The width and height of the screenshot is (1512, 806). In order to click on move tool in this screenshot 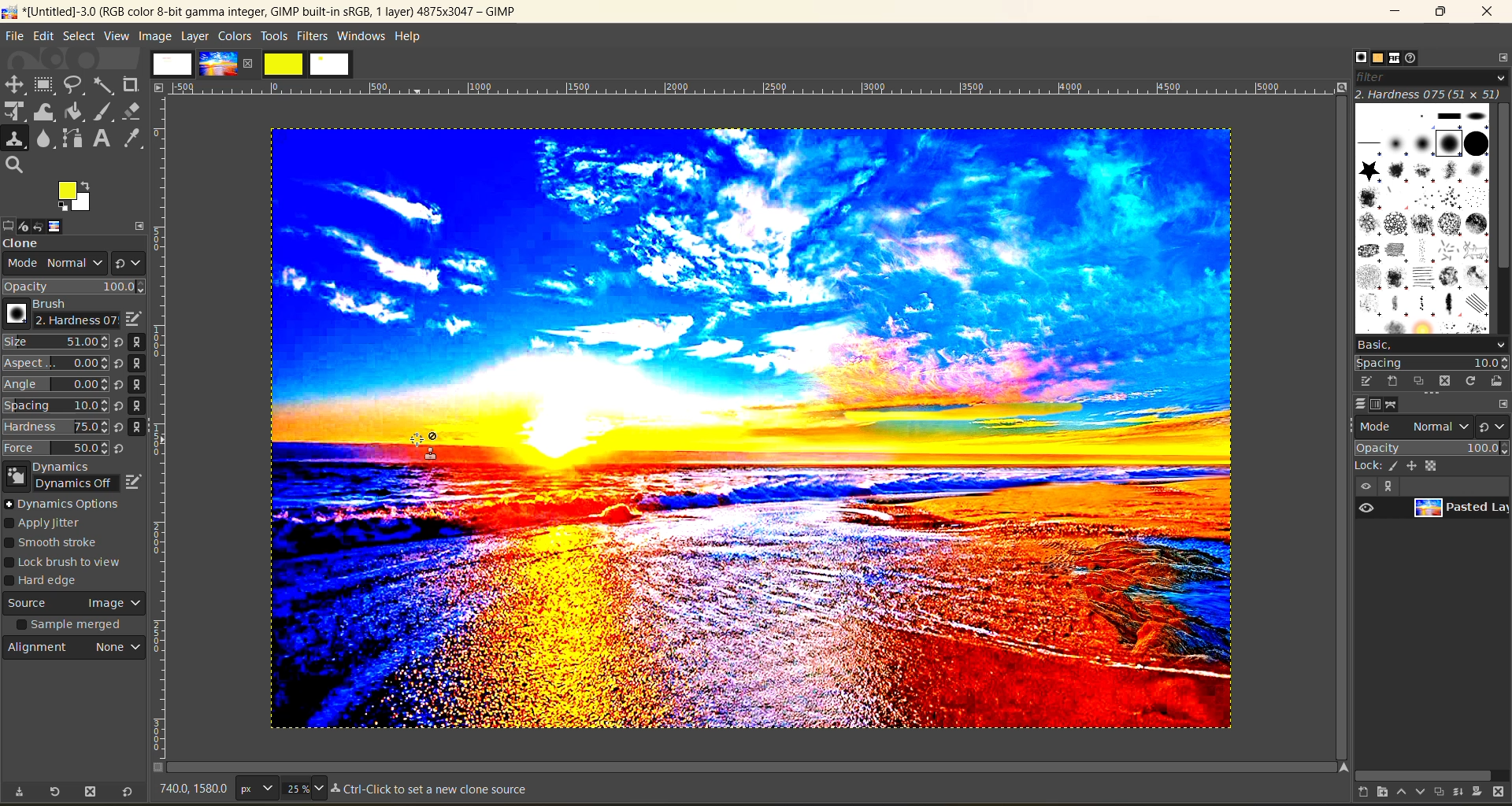, I will do `click(15, 84)`.